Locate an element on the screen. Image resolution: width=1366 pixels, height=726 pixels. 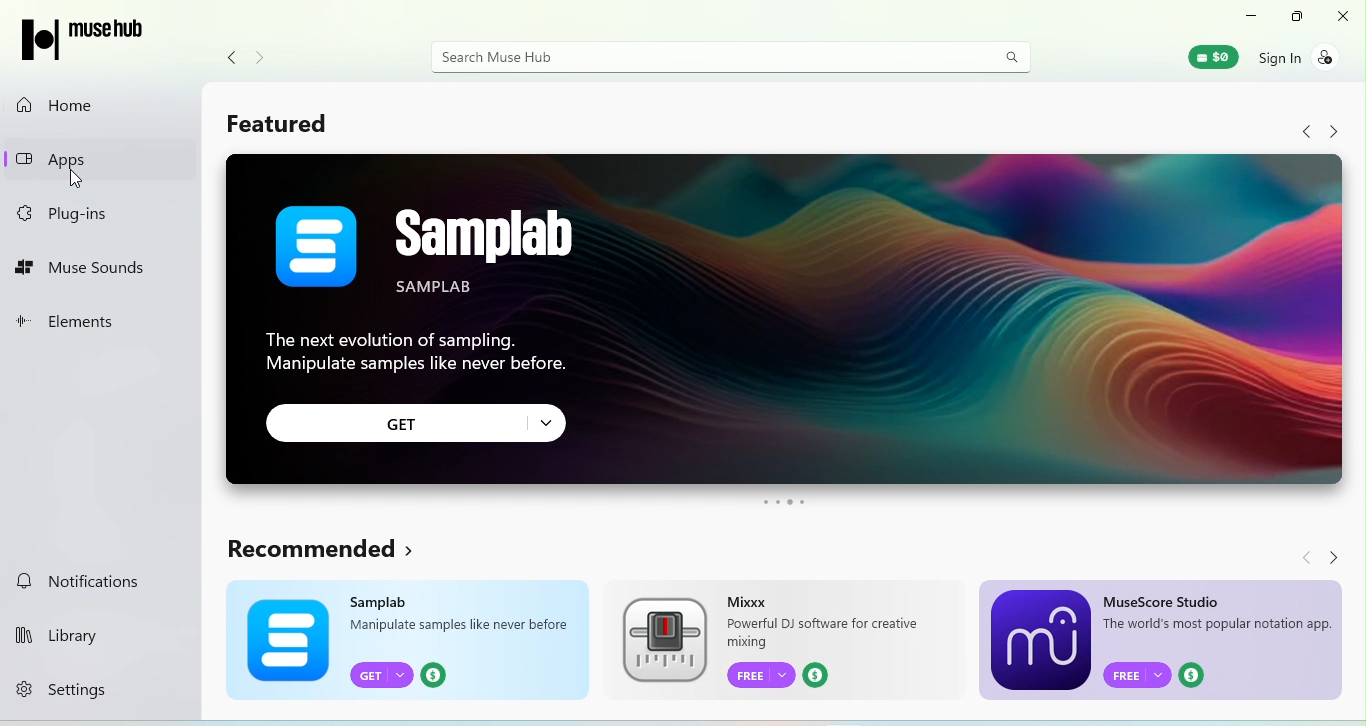
Navigate back is located at coordinates (1299, 556).